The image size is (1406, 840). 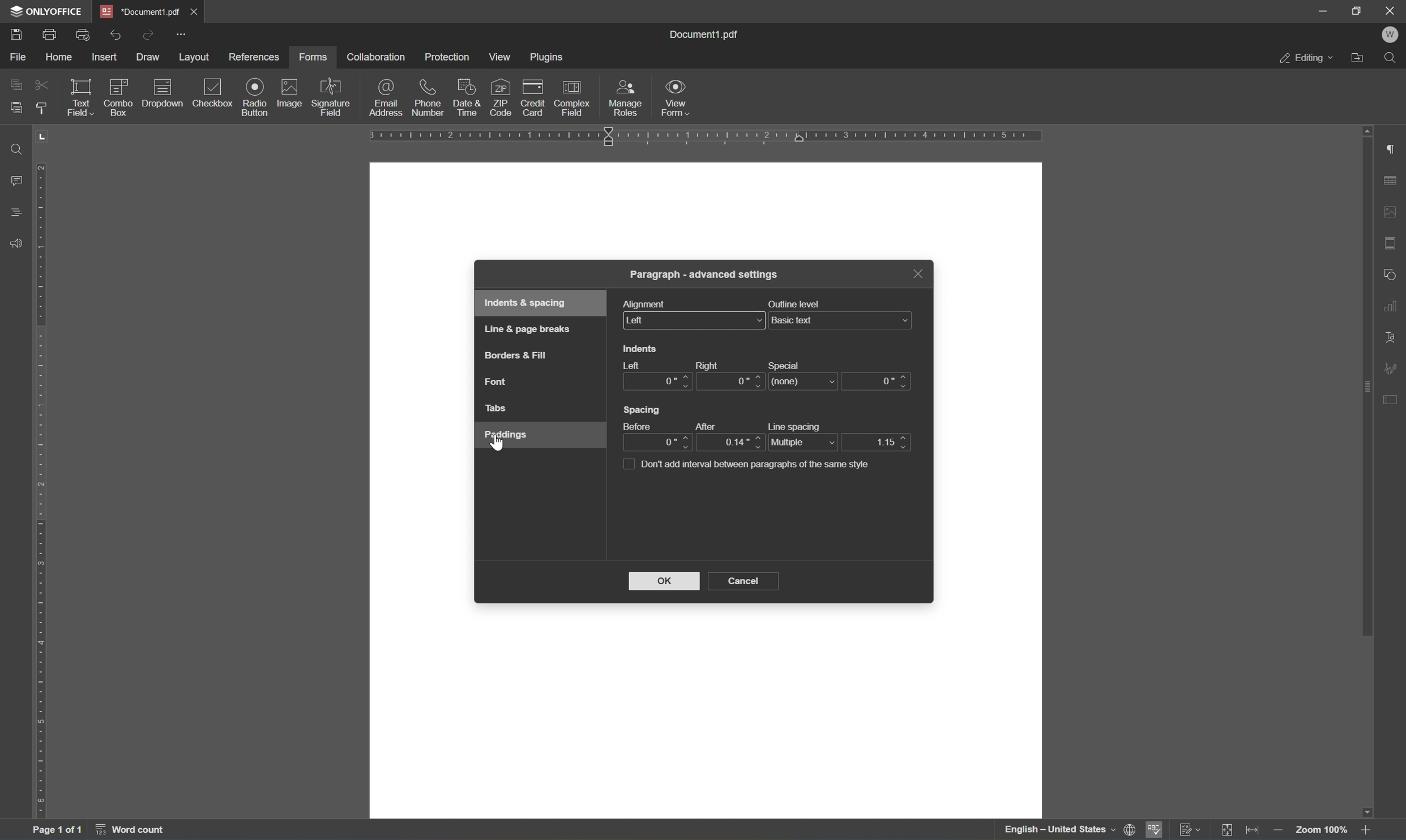 What do you see at coordinates (119, 95) in the screenshot?
I see `combo box` at bounding box center [119, 95].